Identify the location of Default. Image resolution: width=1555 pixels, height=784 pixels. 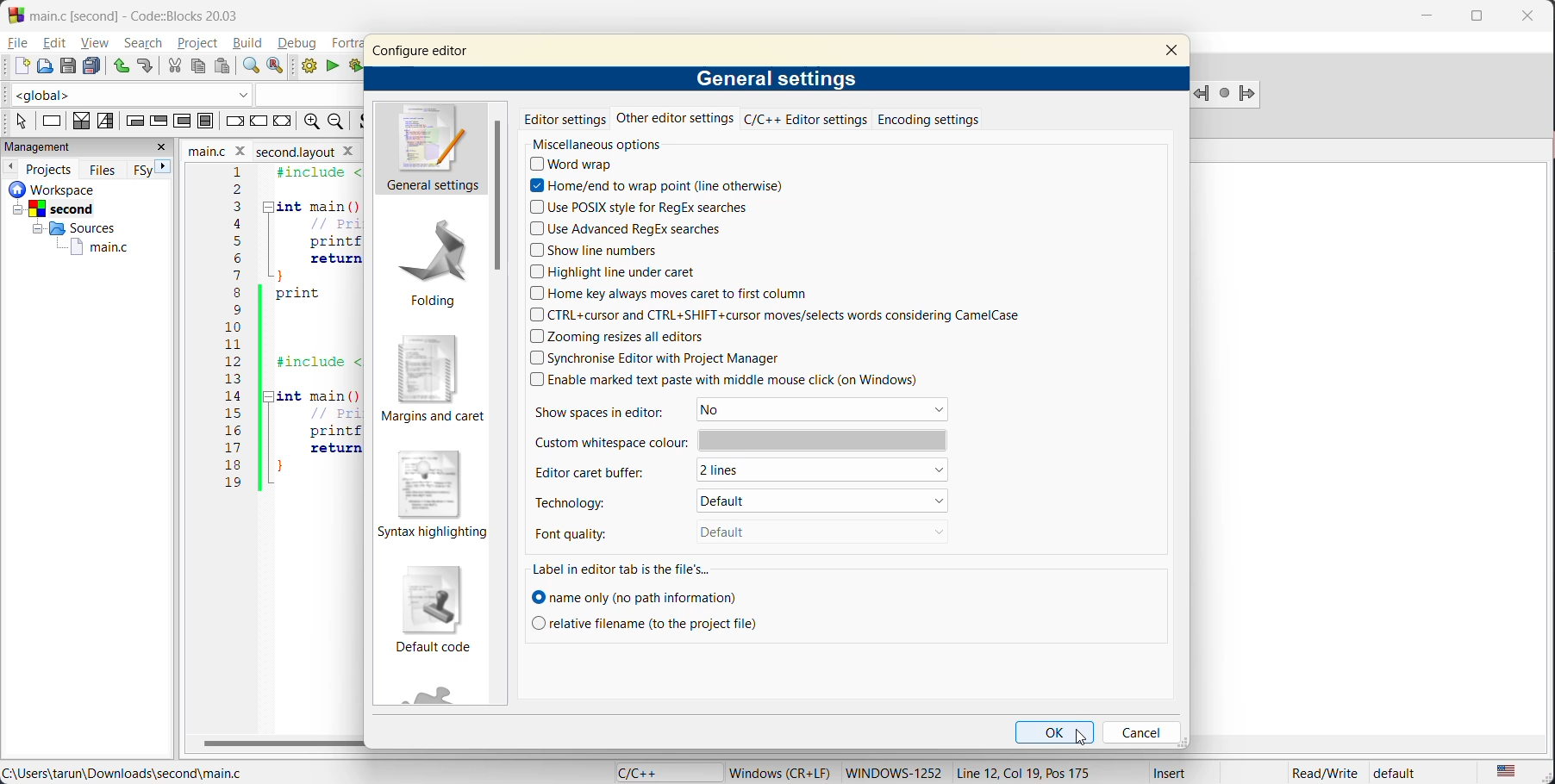
(805, 532).